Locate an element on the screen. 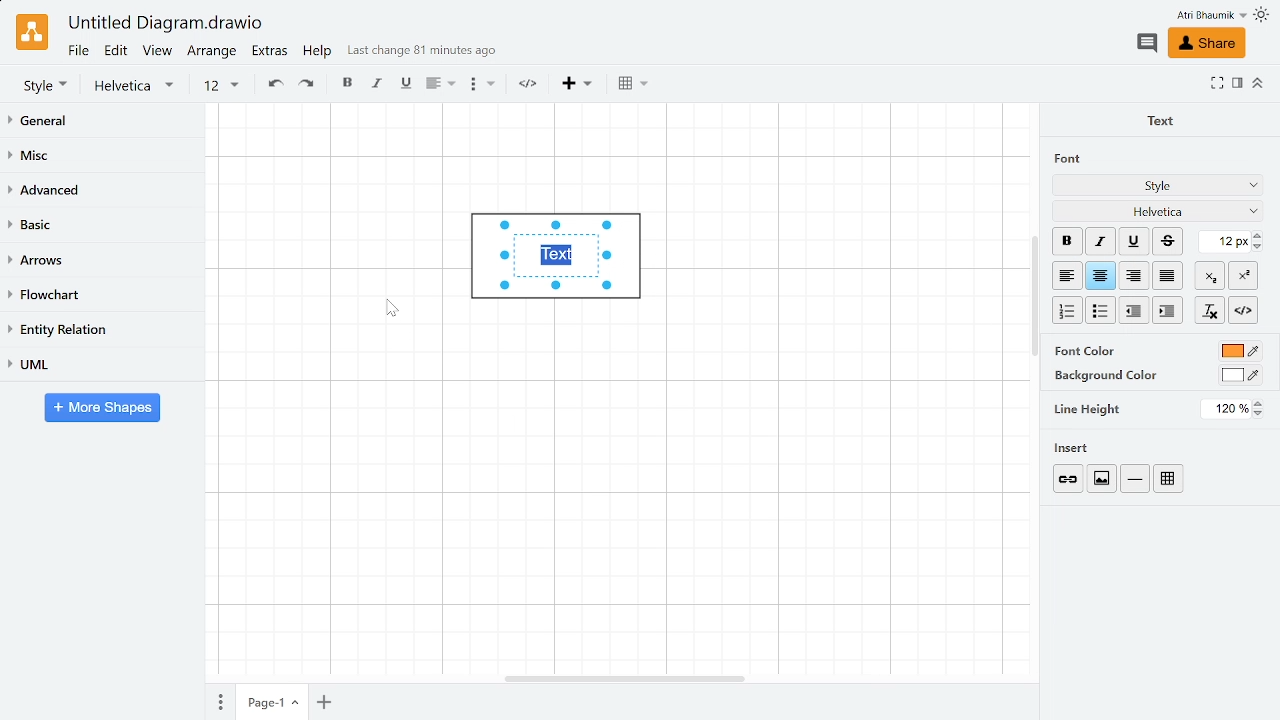 Image resolution: width=1280 pixels, height=720 pixels. Underline is located at coordinates (1135, 242).